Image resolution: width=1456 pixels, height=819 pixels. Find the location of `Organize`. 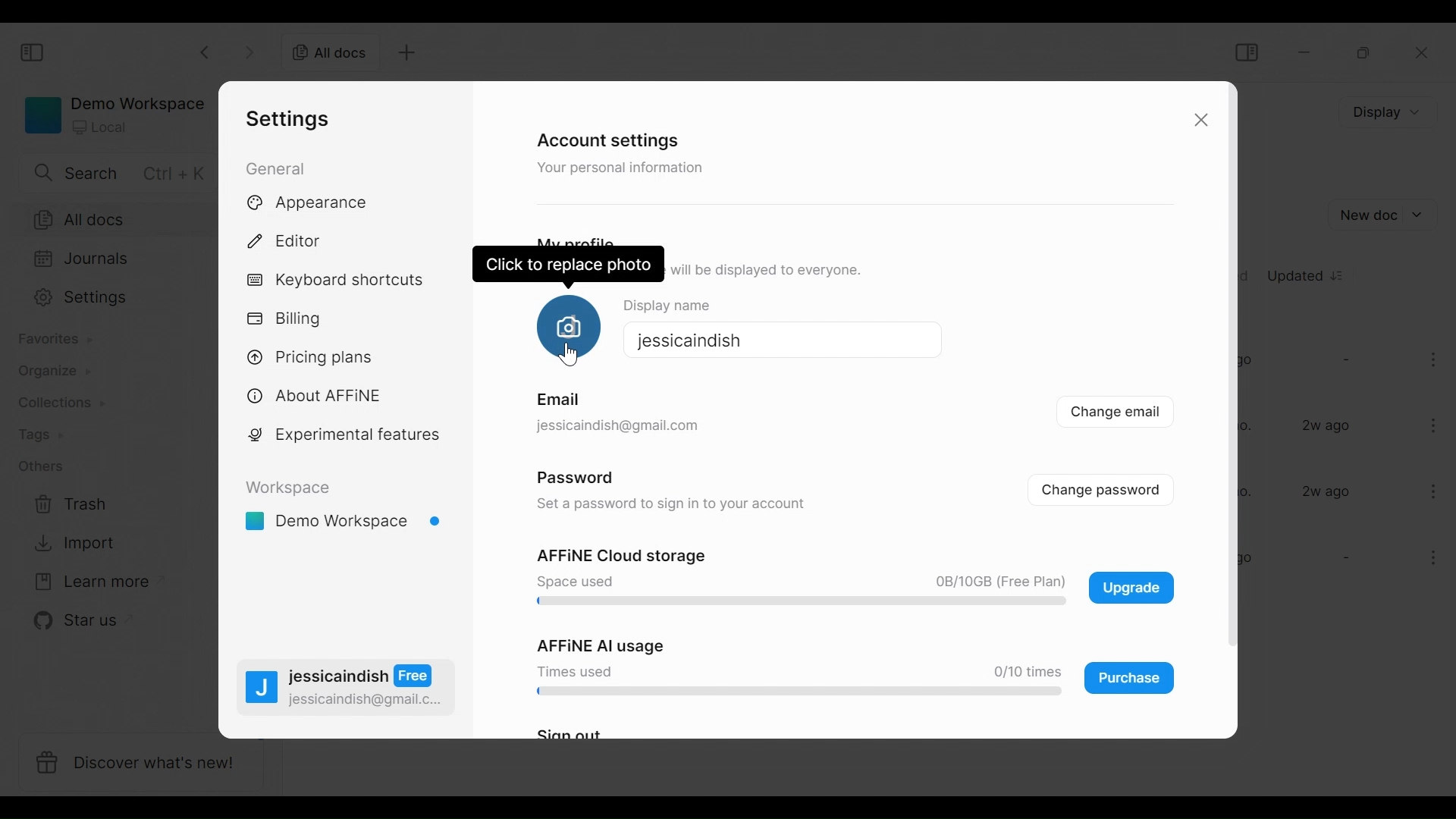

Organize is located at coordinates (58, 372).